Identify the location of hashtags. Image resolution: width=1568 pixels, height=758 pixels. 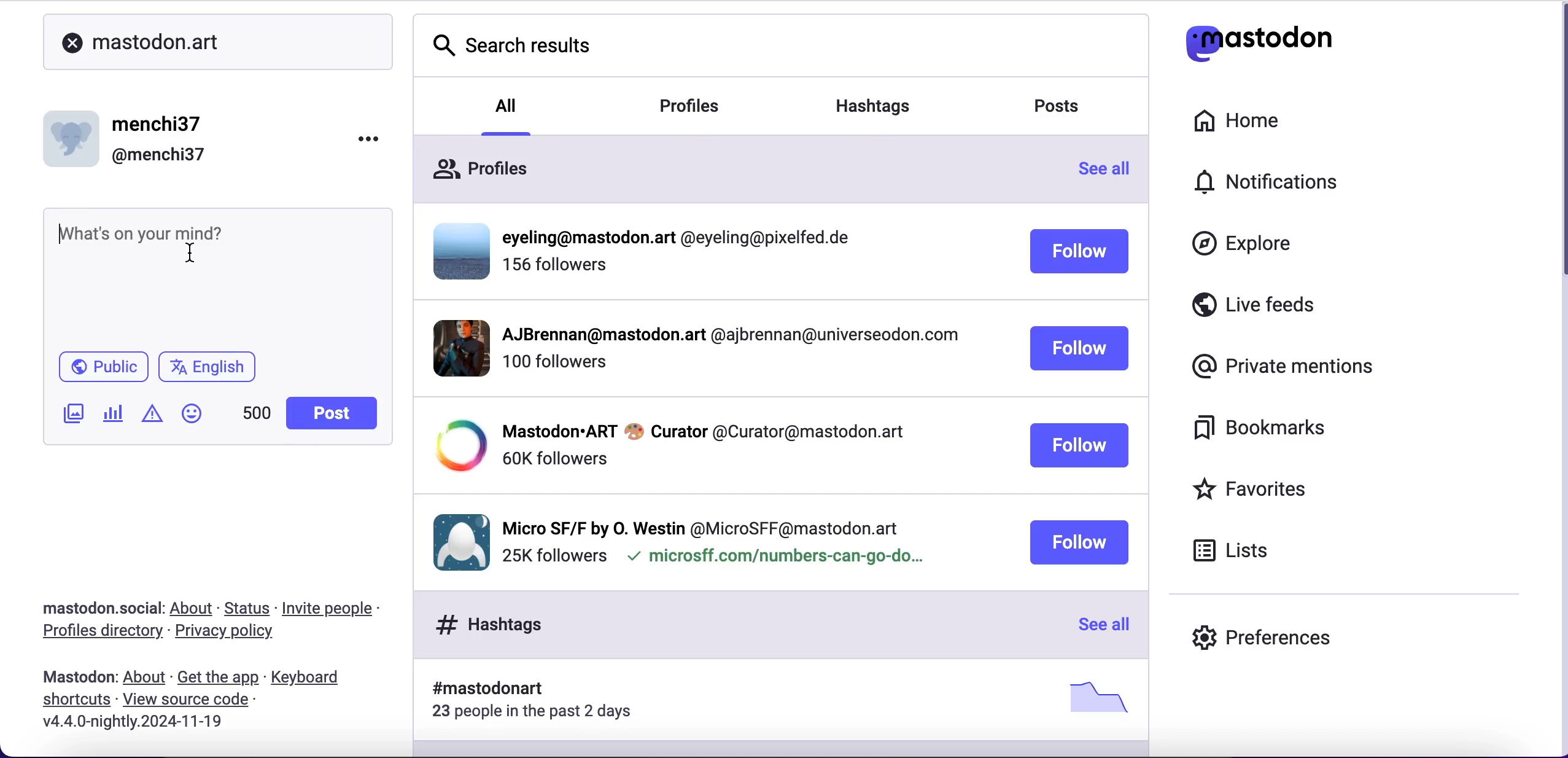
(873, 107).